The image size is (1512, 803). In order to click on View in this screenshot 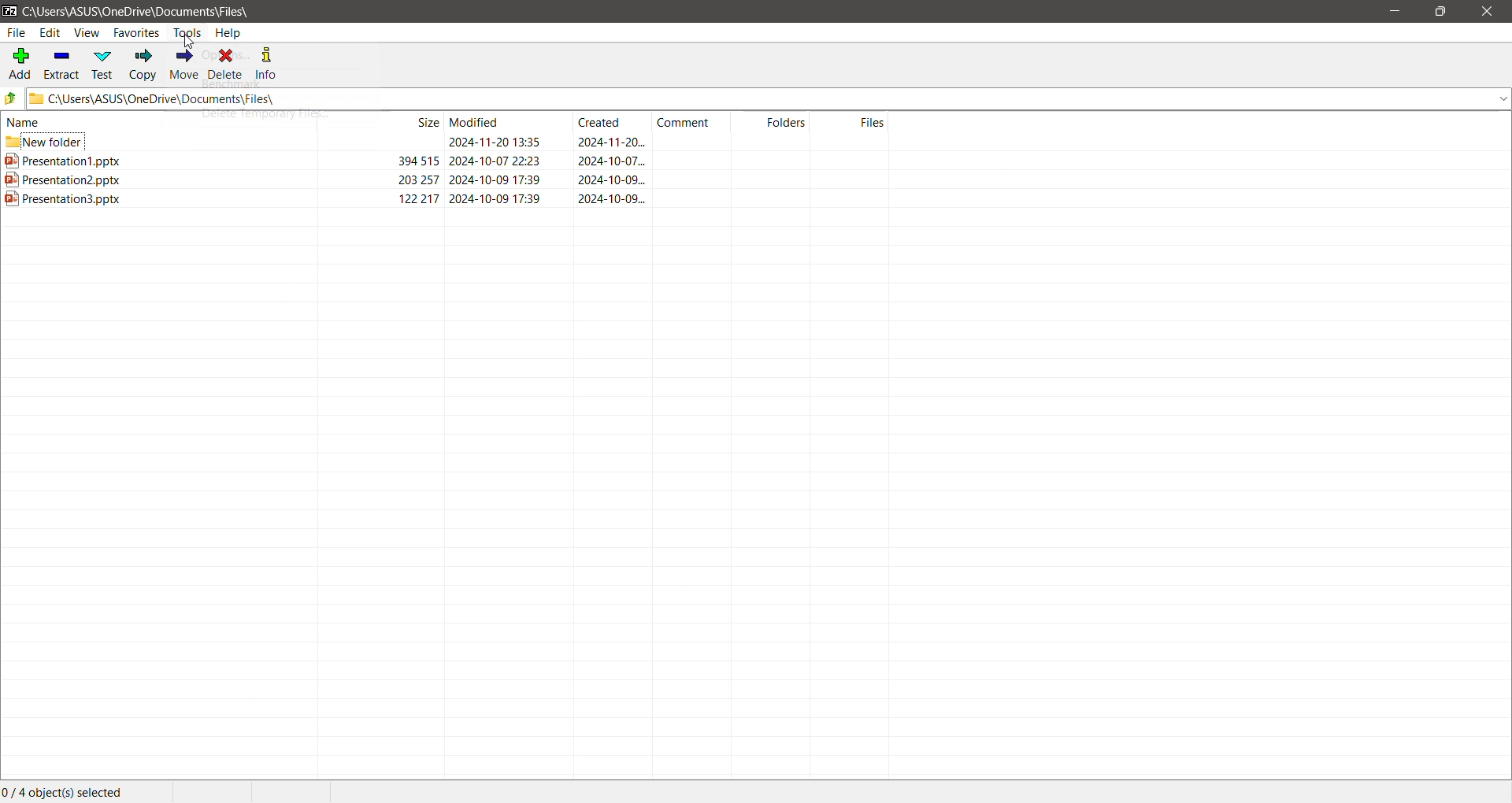, I will do `click(86, 33)`.